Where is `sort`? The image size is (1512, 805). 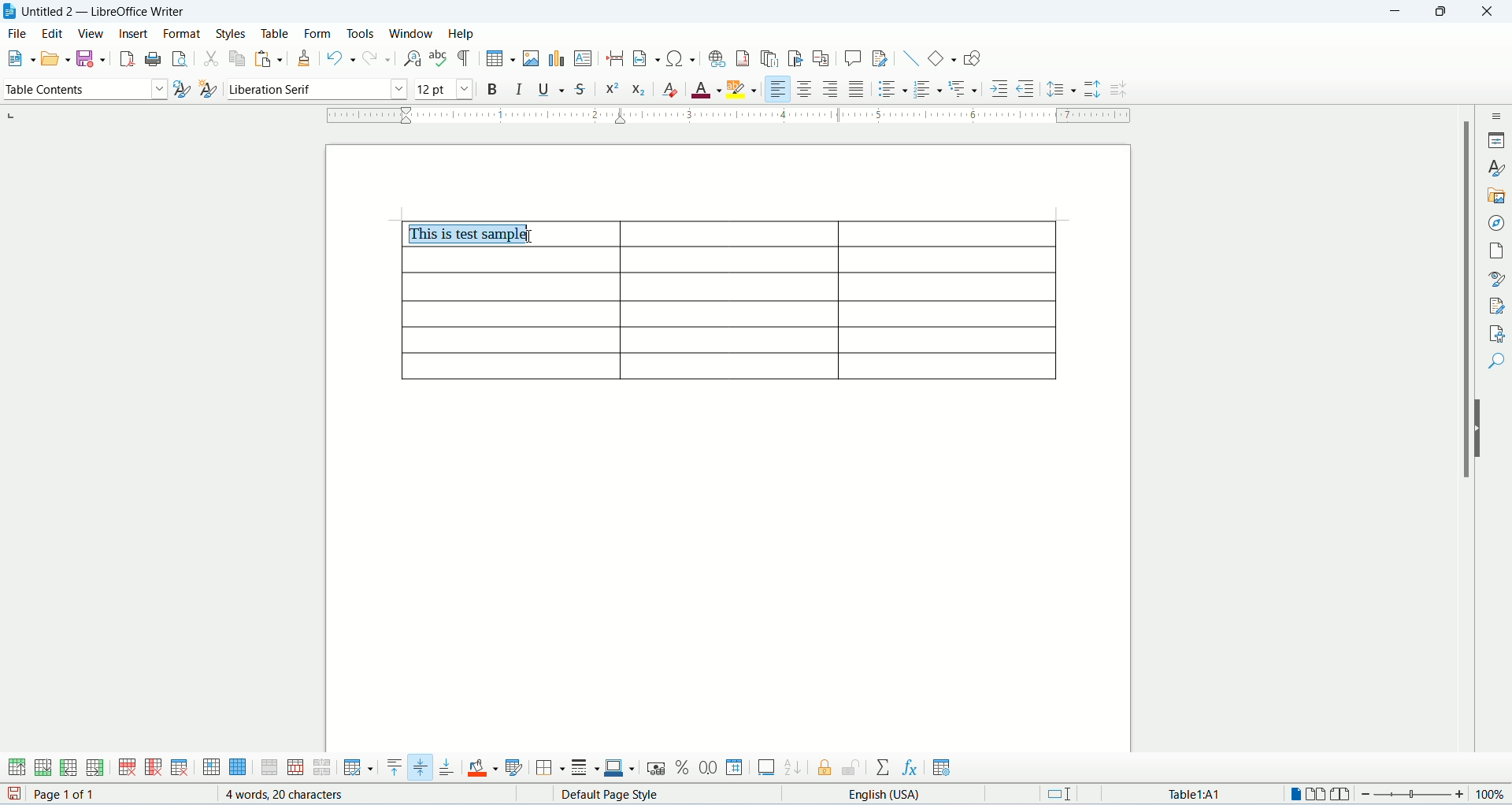 sort is located at coordinates (792, 769).